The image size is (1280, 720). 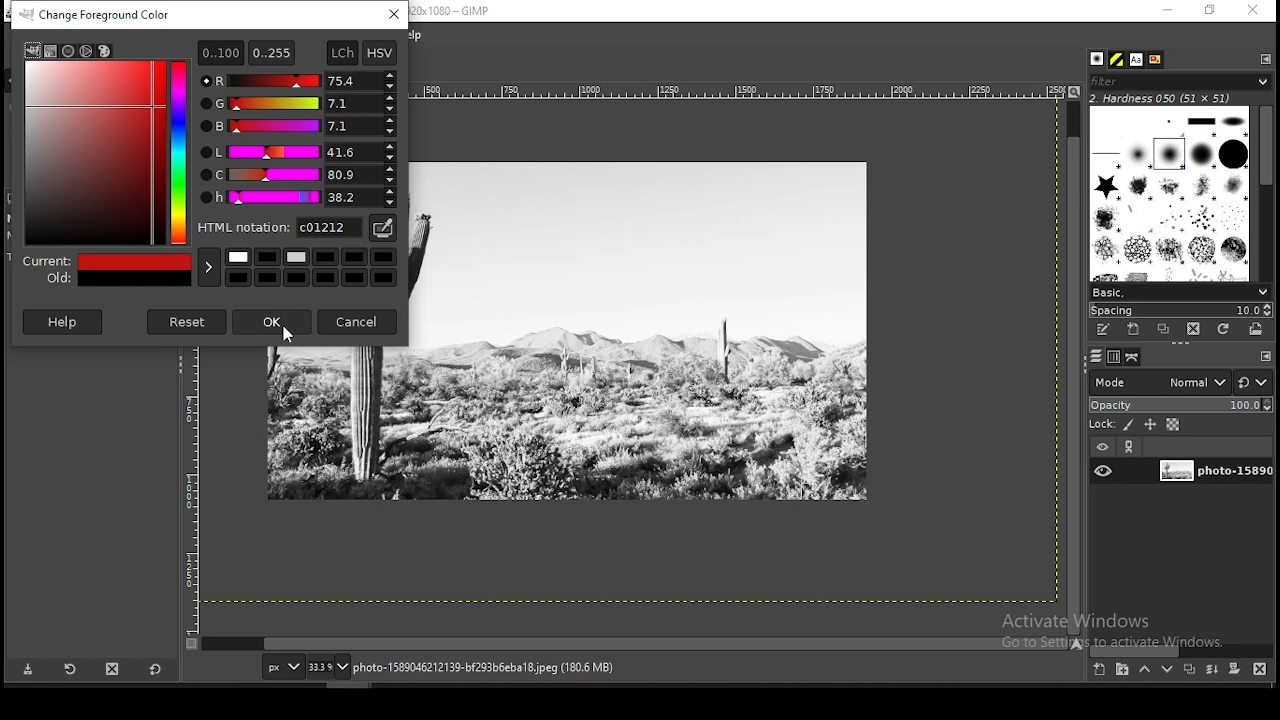 I want to click on new layer group, so click(x=1121, y=670).